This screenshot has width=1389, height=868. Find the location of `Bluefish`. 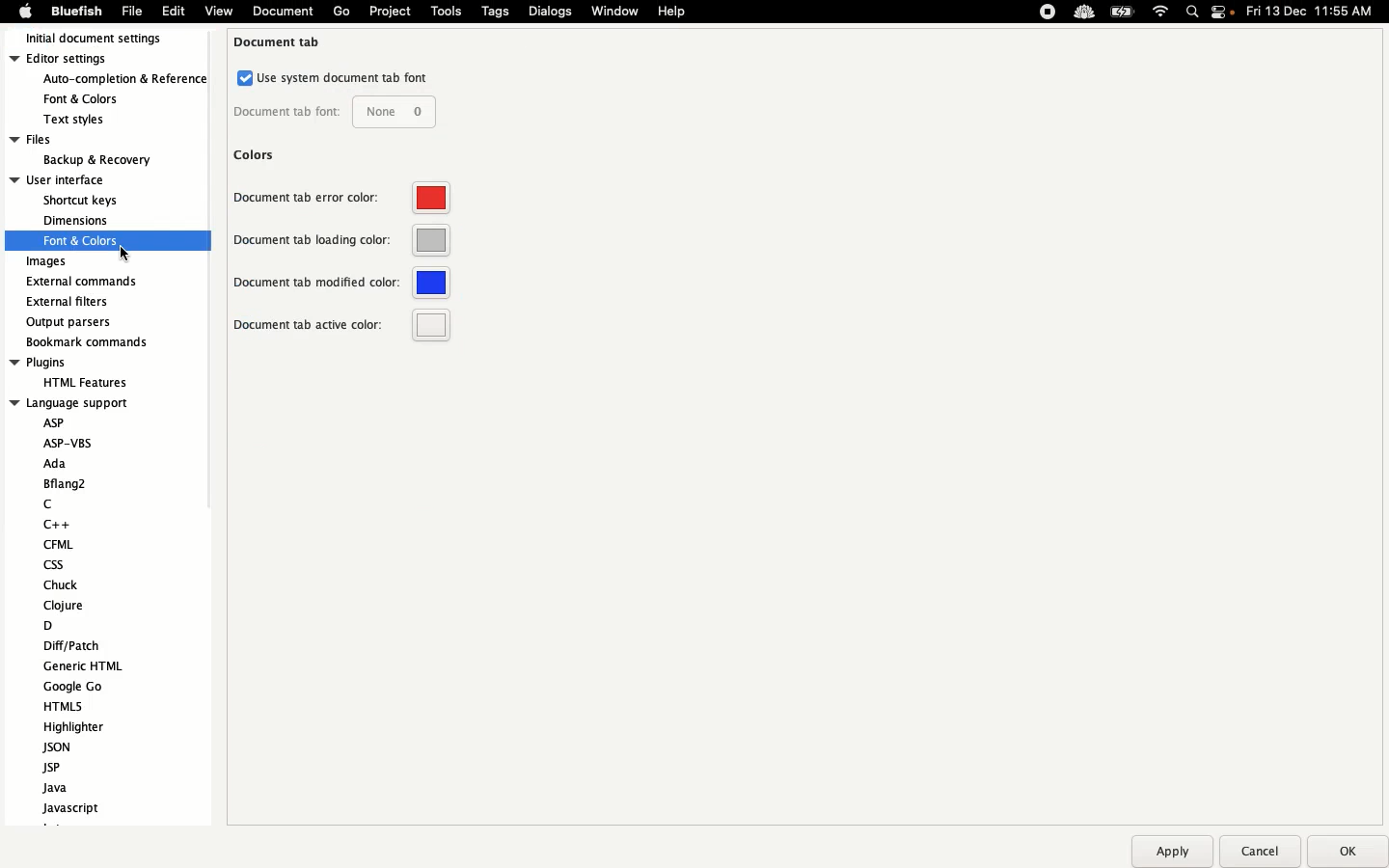

Bluefish is located at coordinates (73, 12).